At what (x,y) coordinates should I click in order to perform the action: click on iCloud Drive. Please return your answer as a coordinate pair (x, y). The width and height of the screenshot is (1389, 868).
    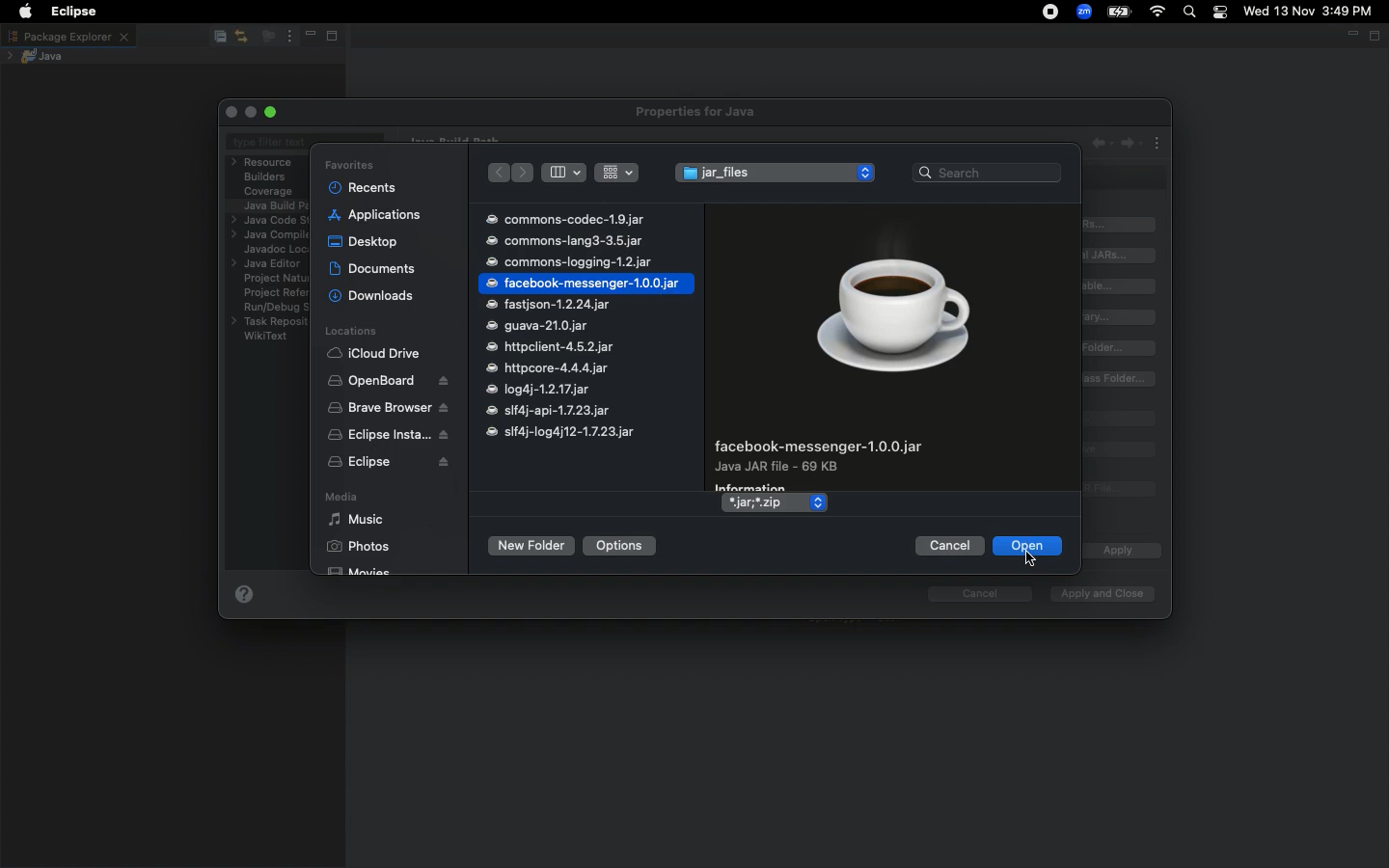
    Looking at the image, I should click on (374, 354).